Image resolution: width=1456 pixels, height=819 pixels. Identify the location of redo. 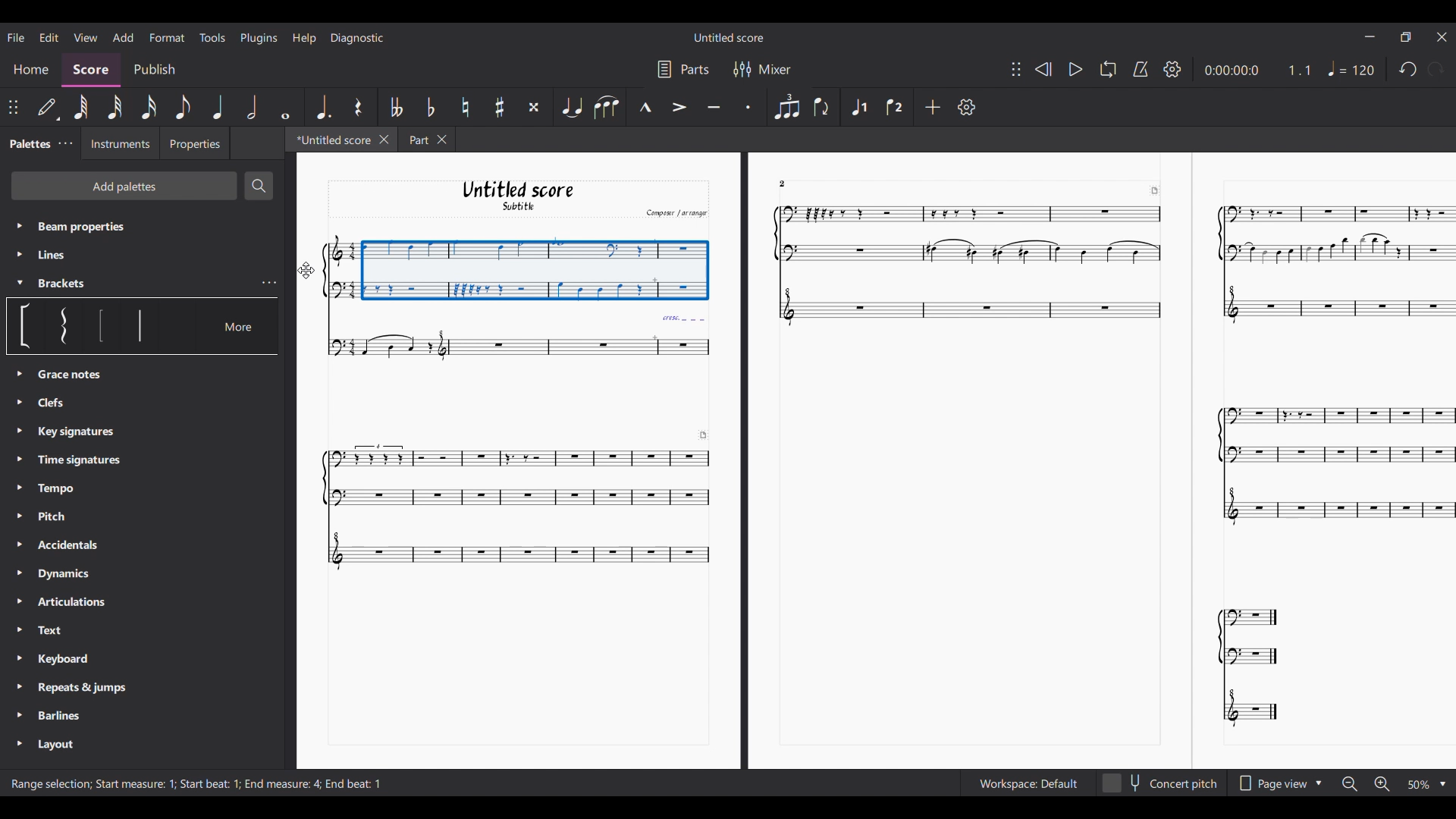
(1406, 73).